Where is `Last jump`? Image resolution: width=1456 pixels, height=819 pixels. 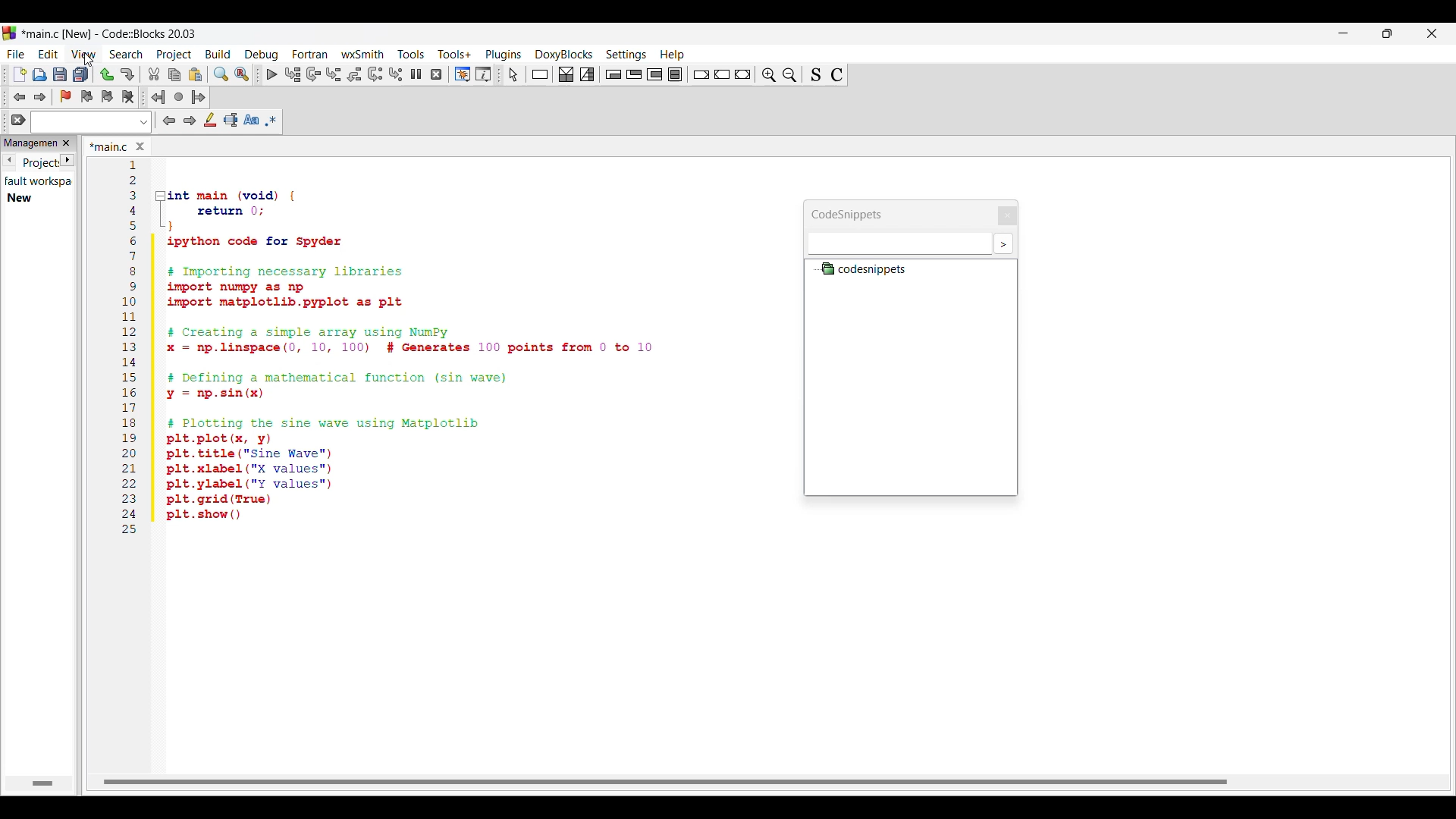
Last jump is located at coordinates (179, 97).